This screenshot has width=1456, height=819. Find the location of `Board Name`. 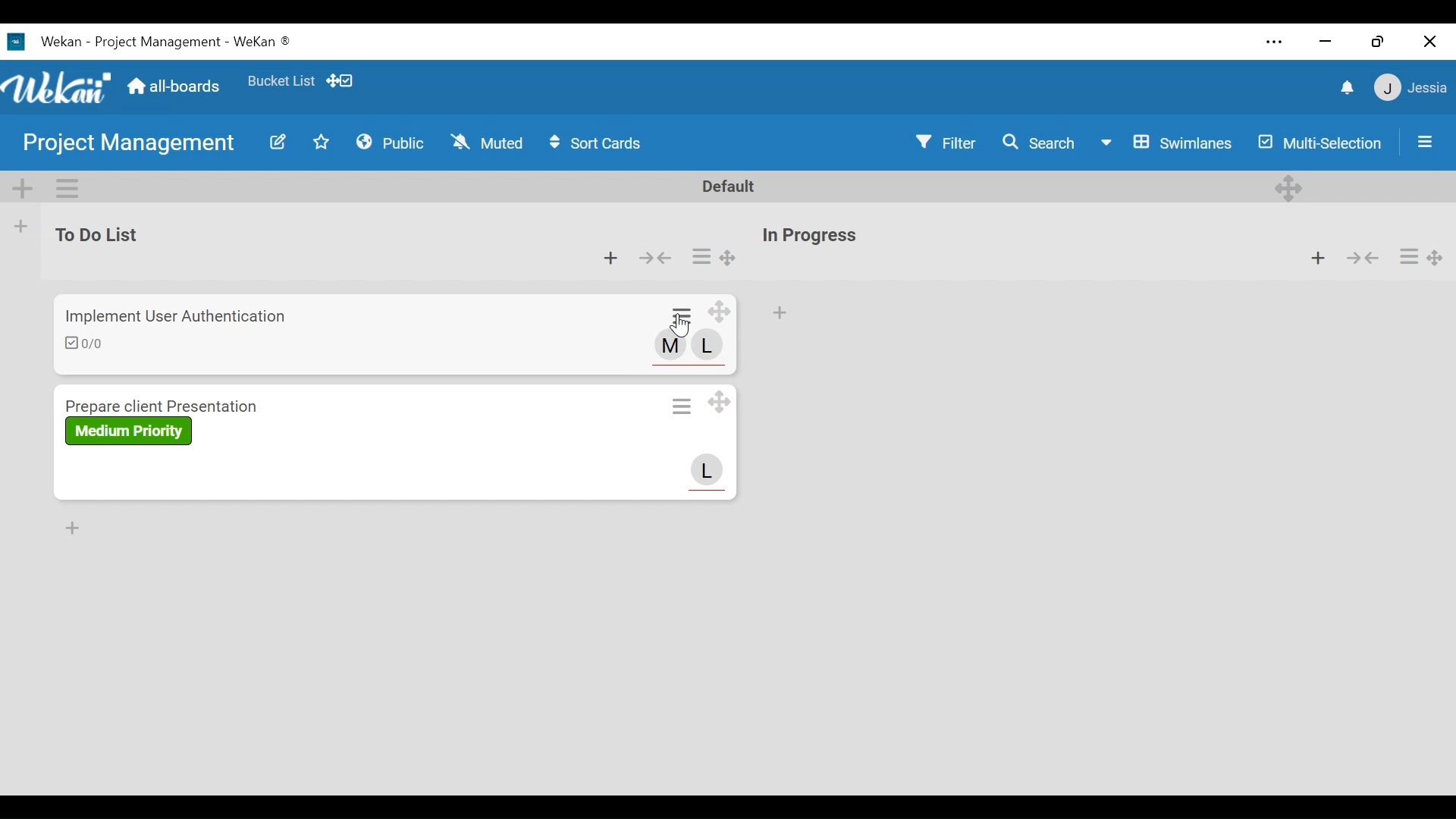

Board Name is located at coordinates (131, 145).